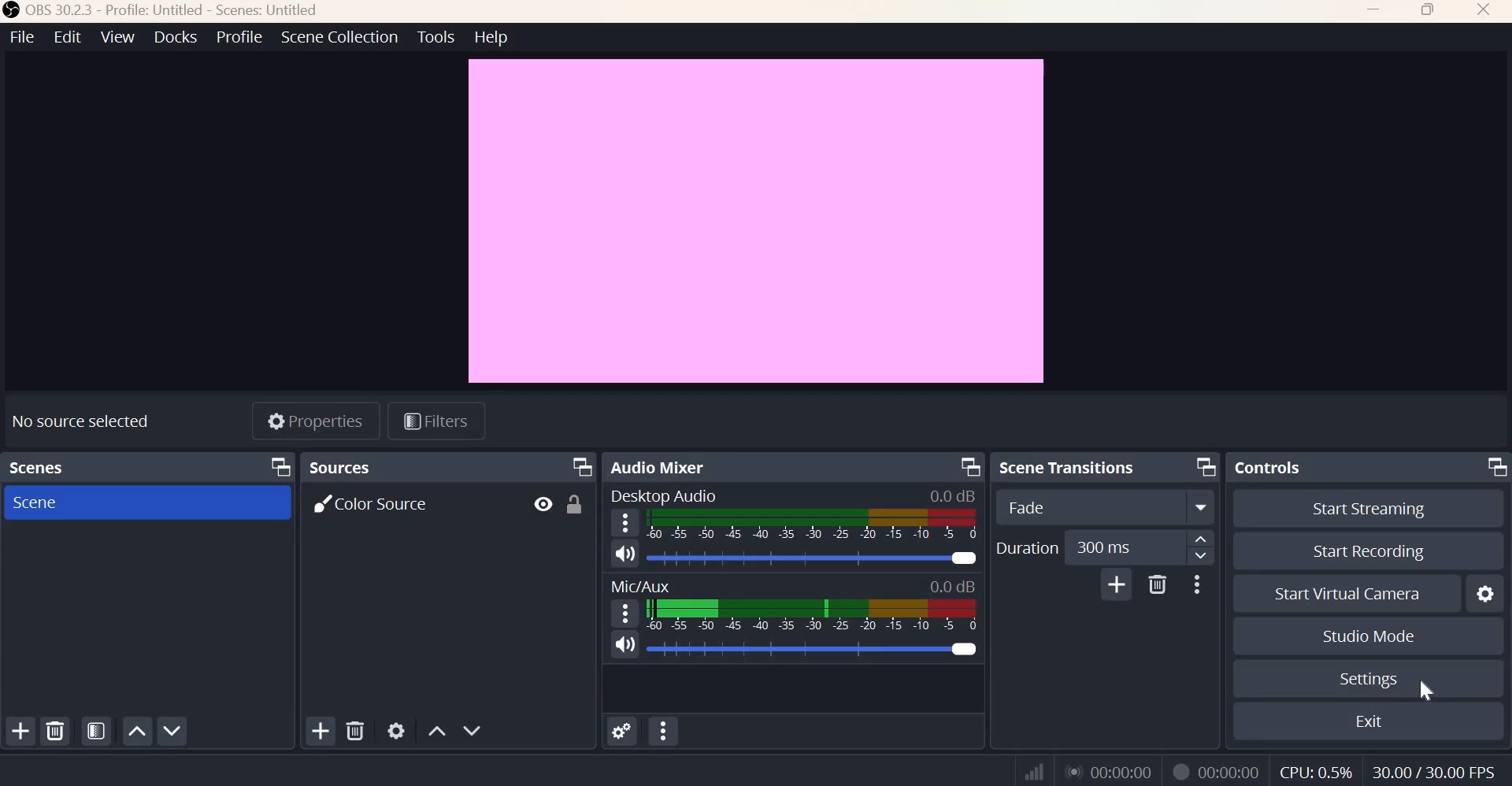 The width and height of the screenshot is (1512, 786). What do you see at coordinates (1181, 771) in the screenshot?
I see `Recording Status Icon` at bounding box center [1181, 771].